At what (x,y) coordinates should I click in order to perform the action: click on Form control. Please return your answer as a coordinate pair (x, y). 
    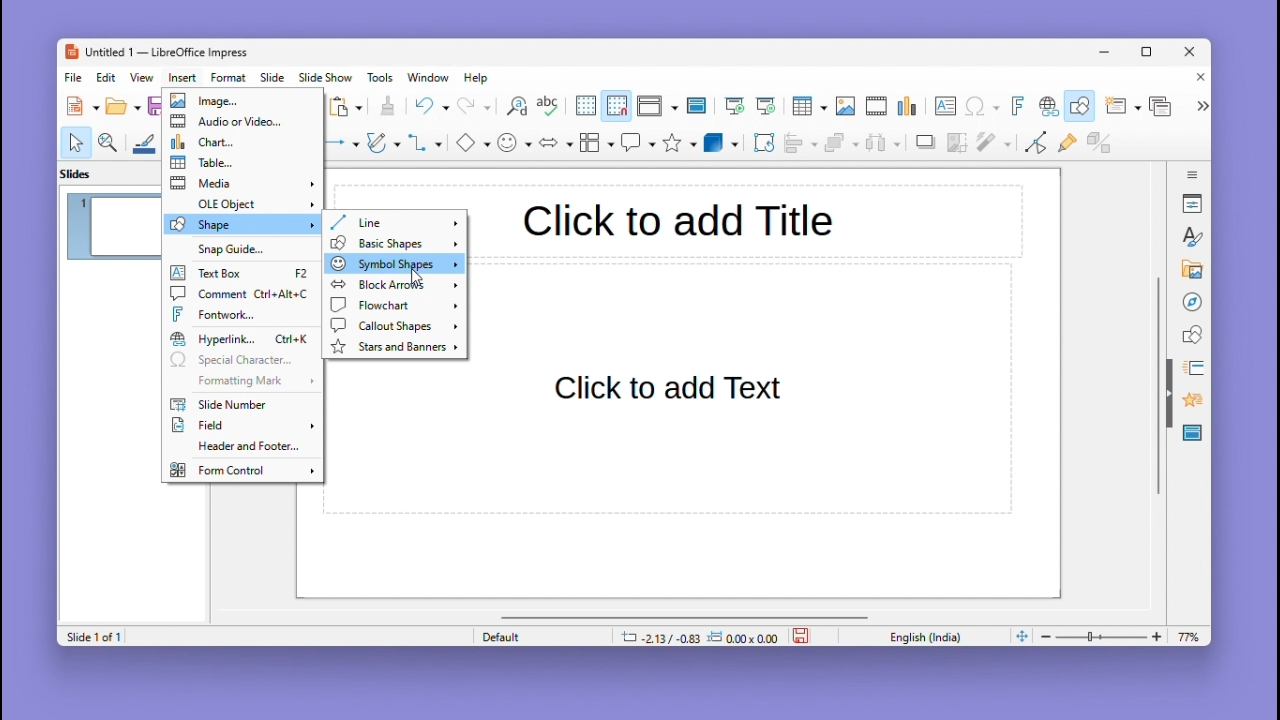
    Looking at the image, I should click on (241, 469).